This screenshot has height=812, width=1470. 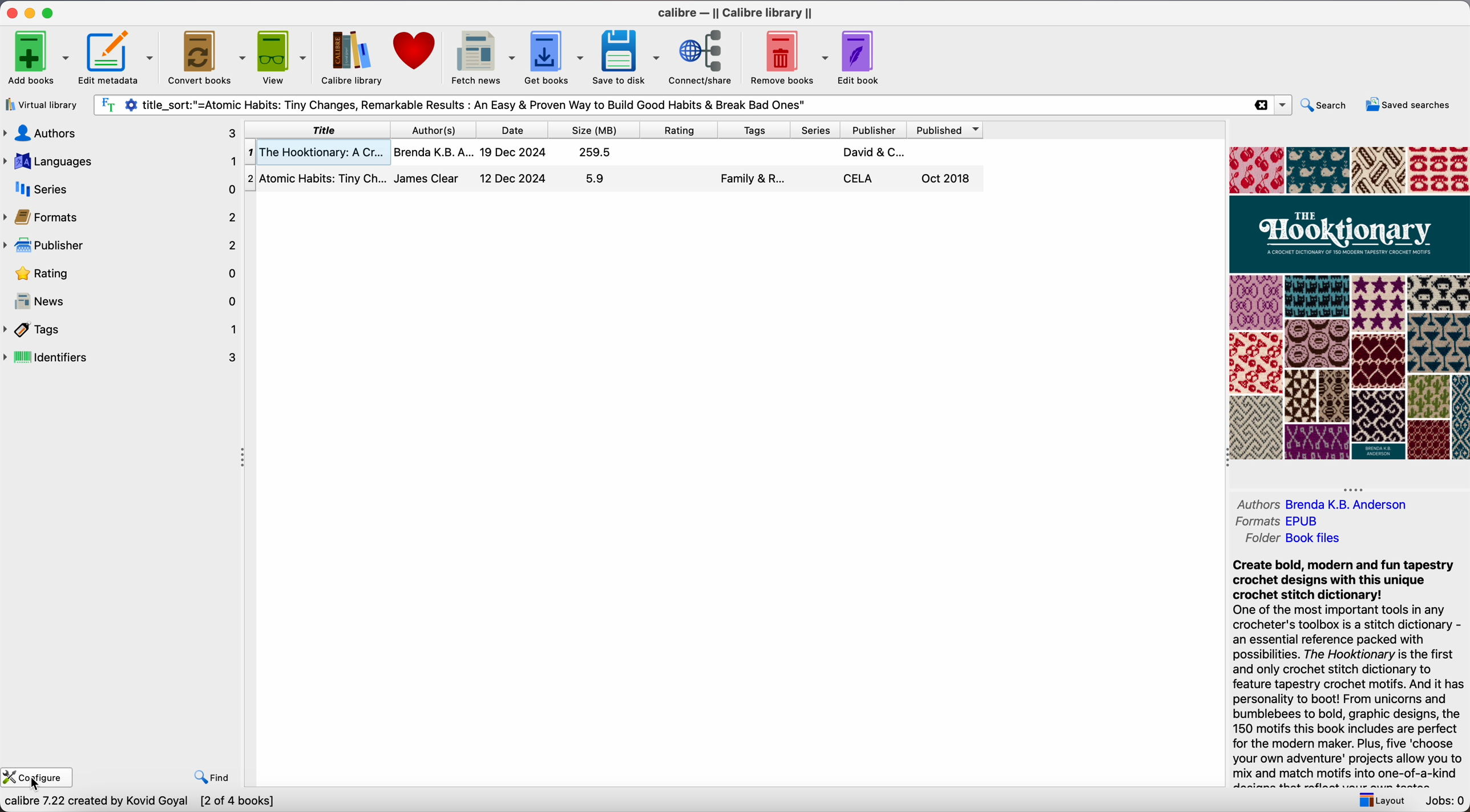 I want to click on Jobs: 0, so click(x=1441, y=802).